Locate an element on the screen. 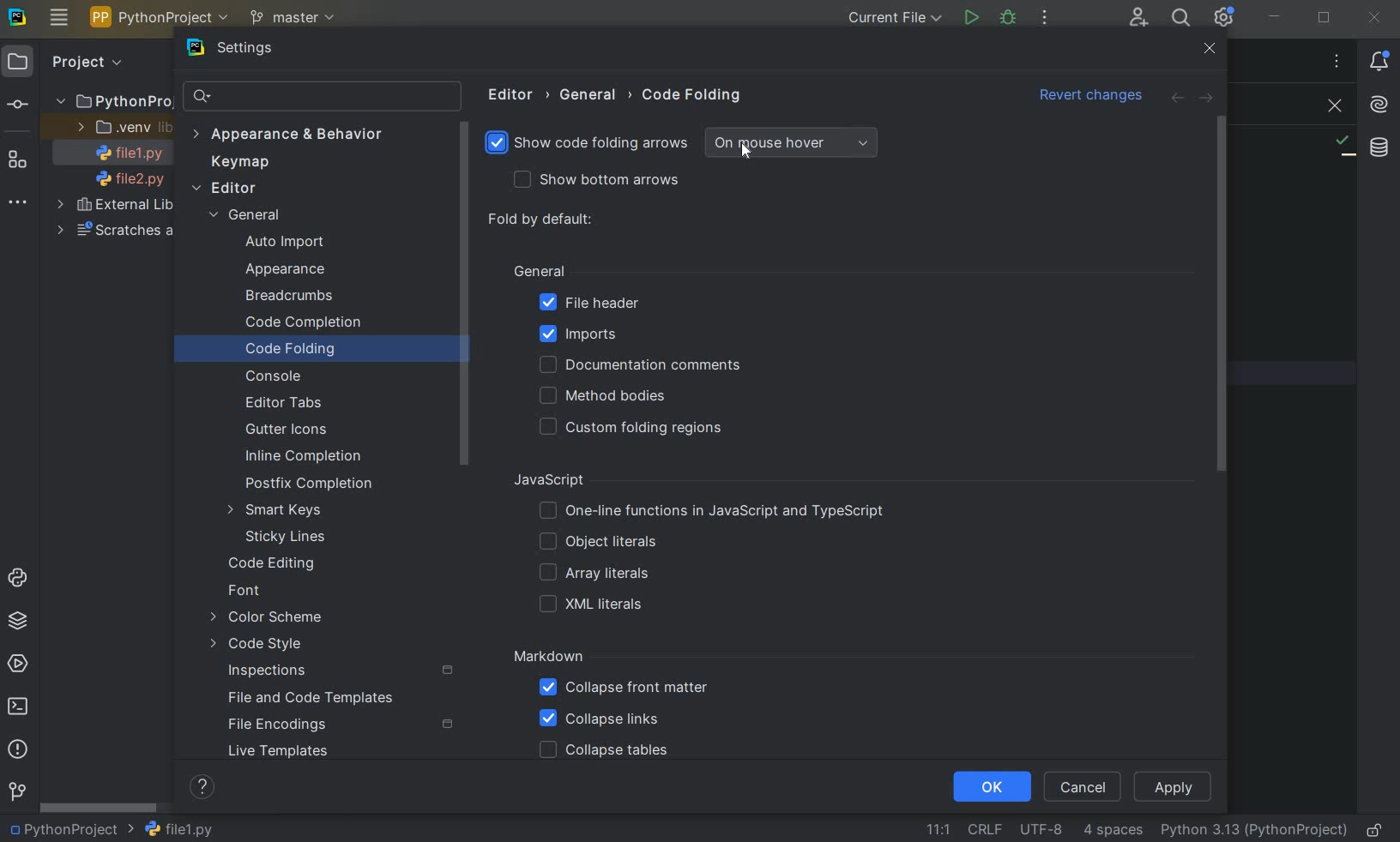 This screenshot has width=1400, height=842. PythonProject is located at coordinates (113, 102).